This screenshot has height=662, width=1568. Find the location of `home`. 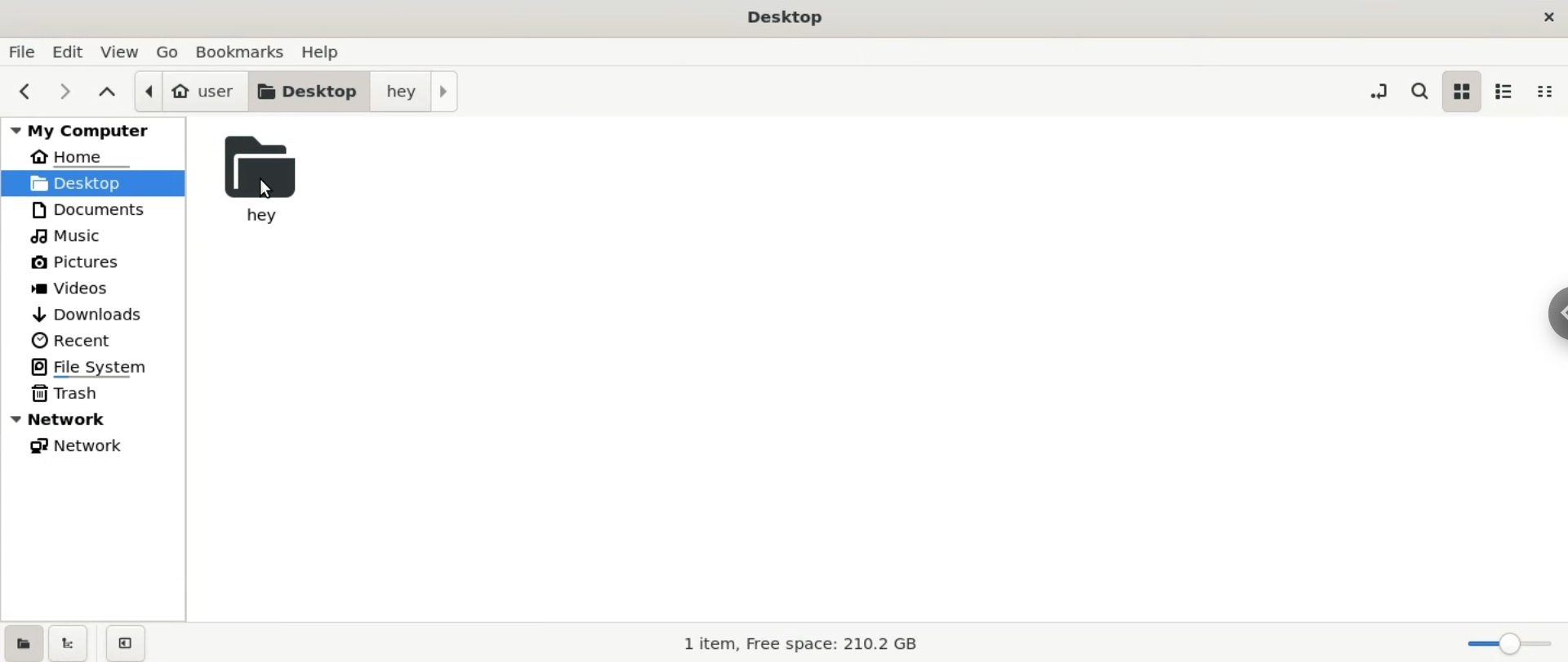

home is located at coordinates (94, 157).